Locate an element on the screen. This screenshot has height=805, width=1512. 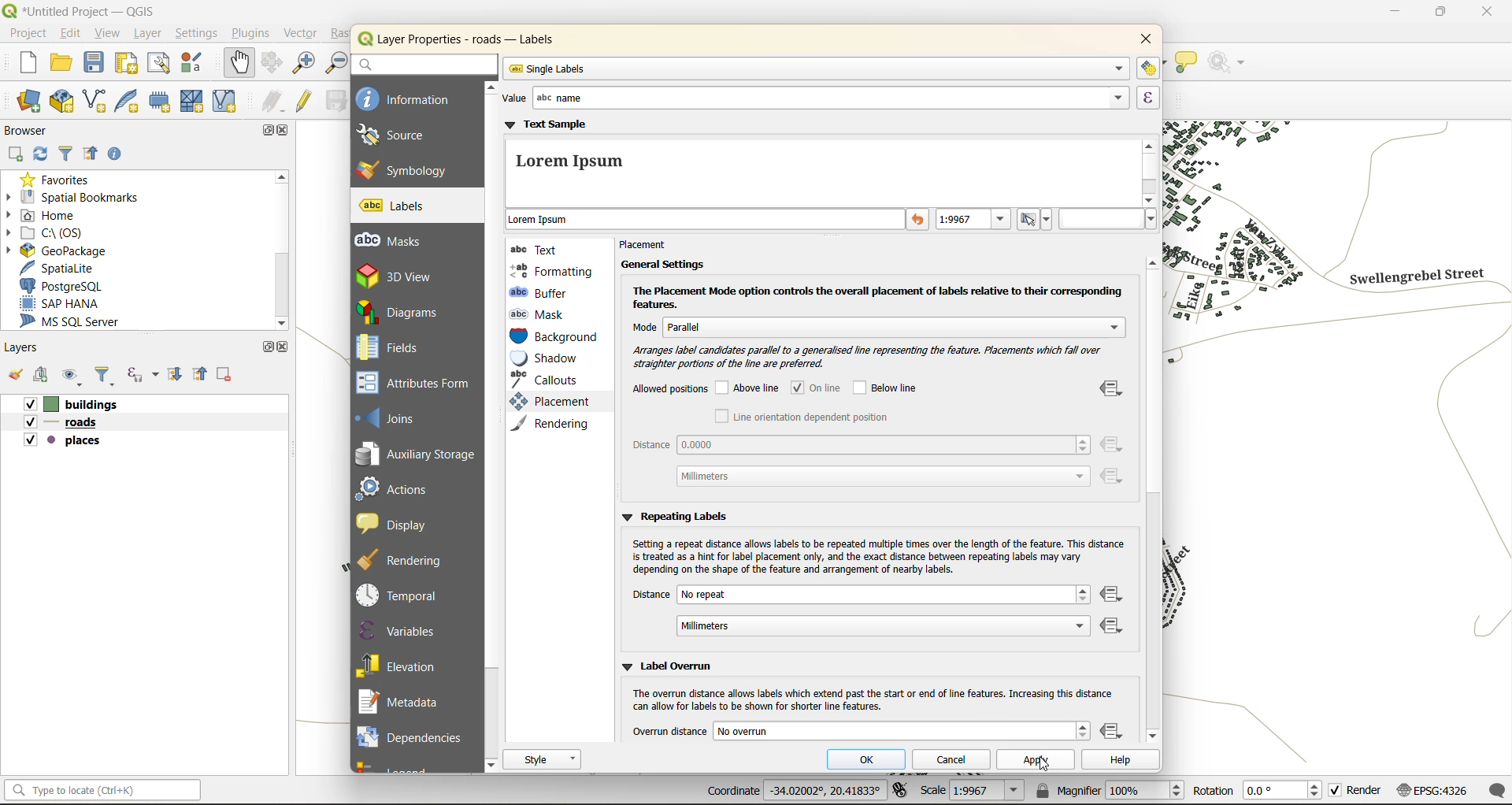
print layout is located at coordinates (128, 65).